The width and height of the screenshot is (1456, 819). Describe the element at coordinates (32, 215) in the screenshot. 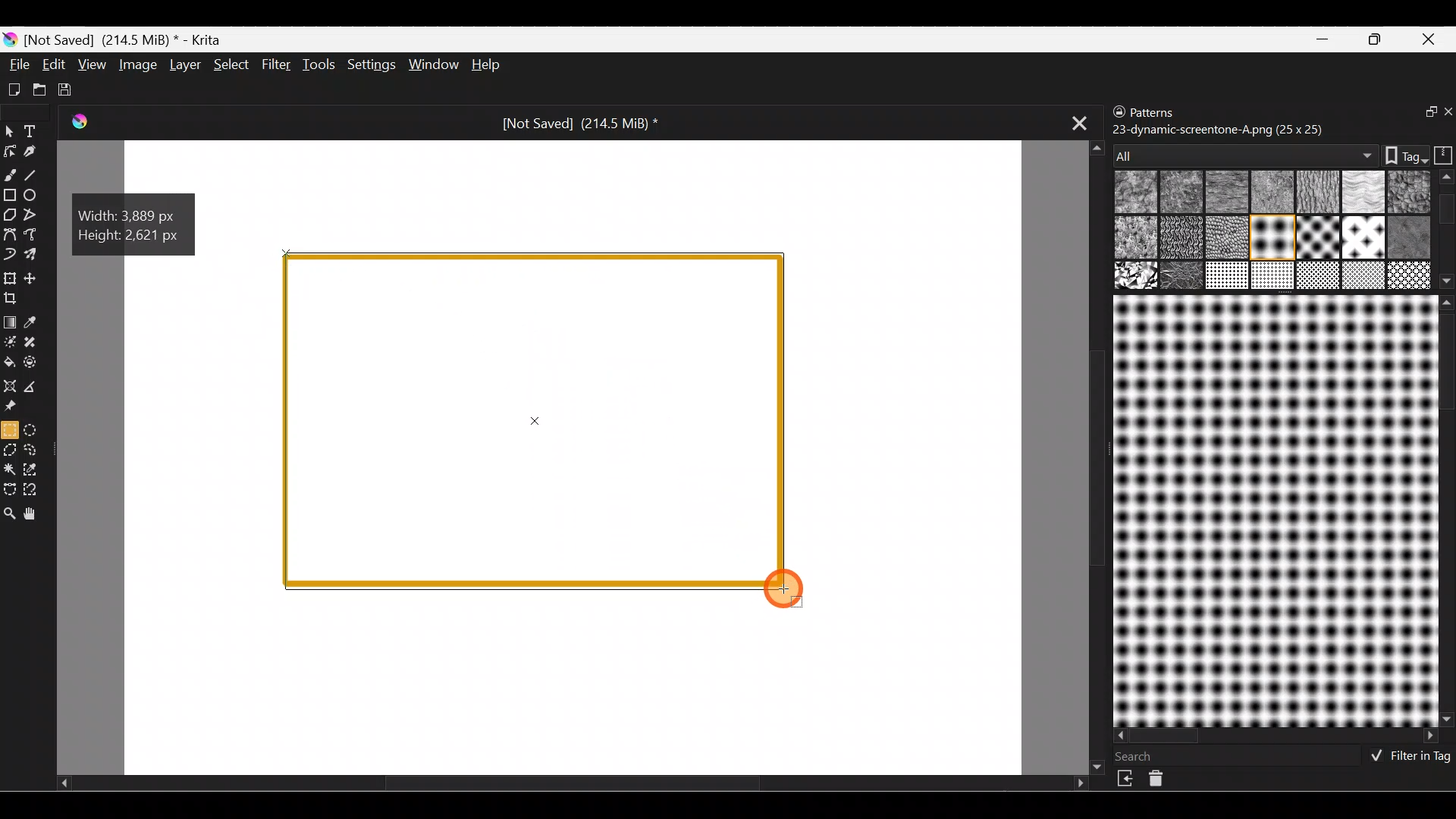

I see `Polyline tool` at that location.